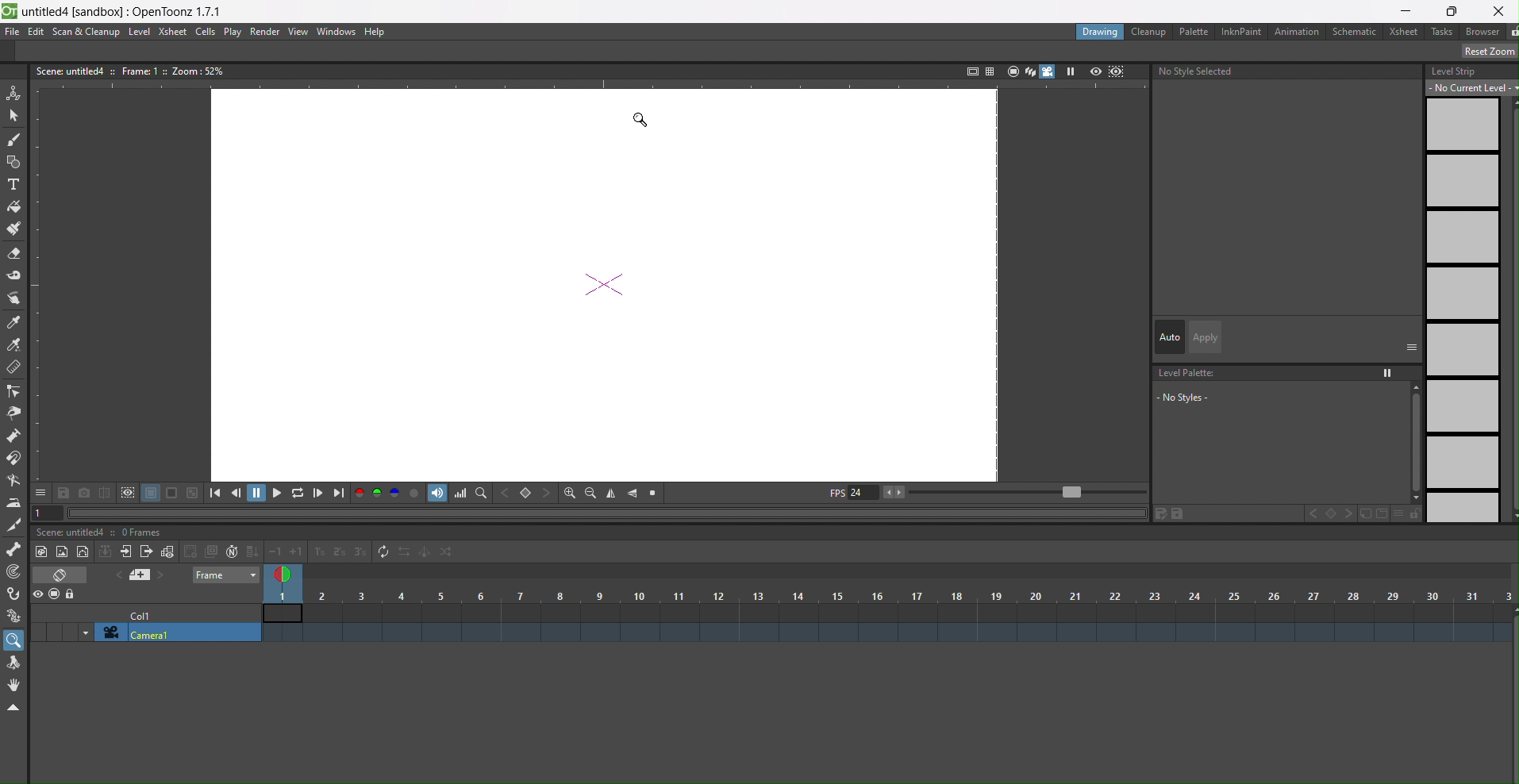  I want to click on hide toolbar, so click(17, 709).